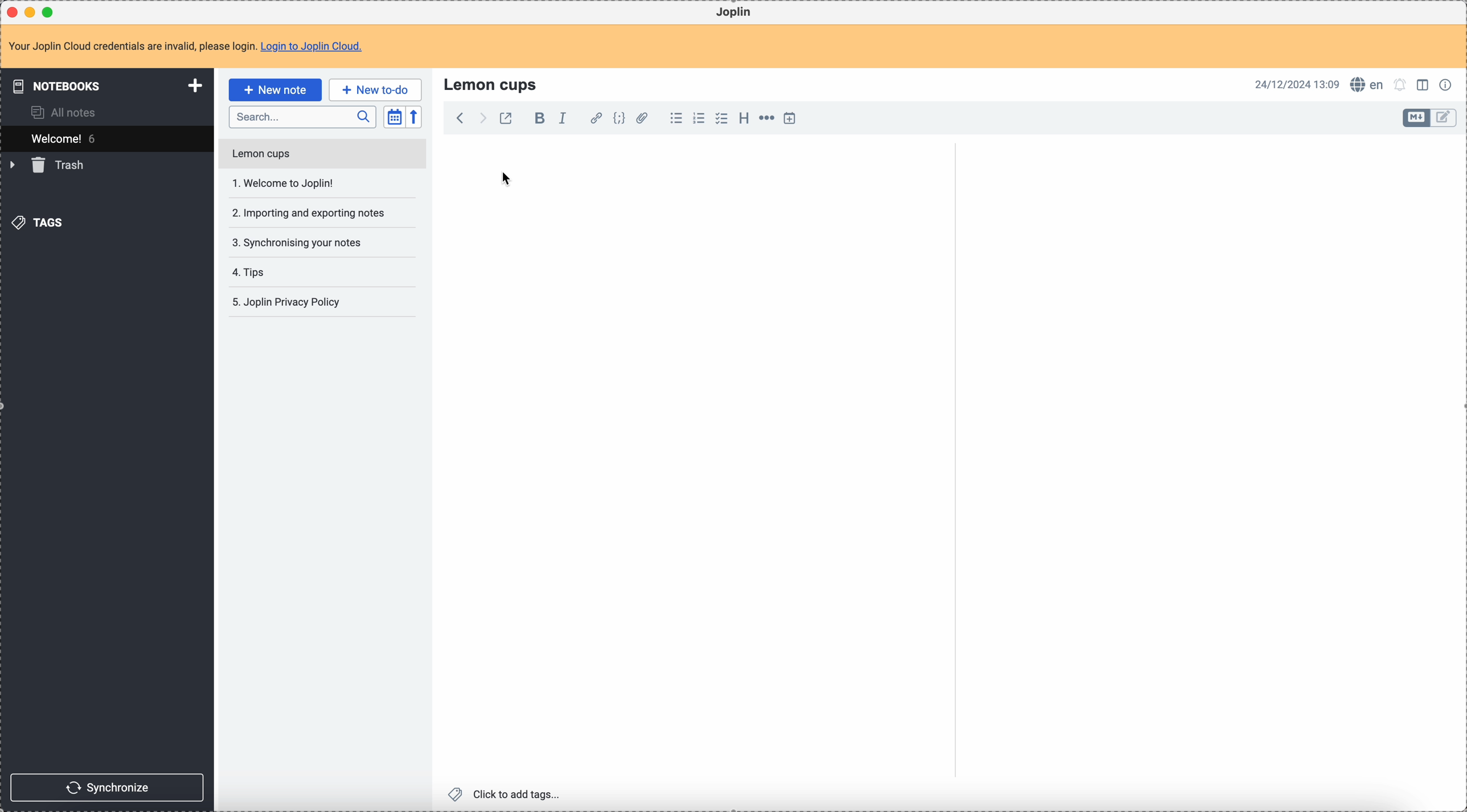  I want to click on toggle external editing, so click(505, 120).